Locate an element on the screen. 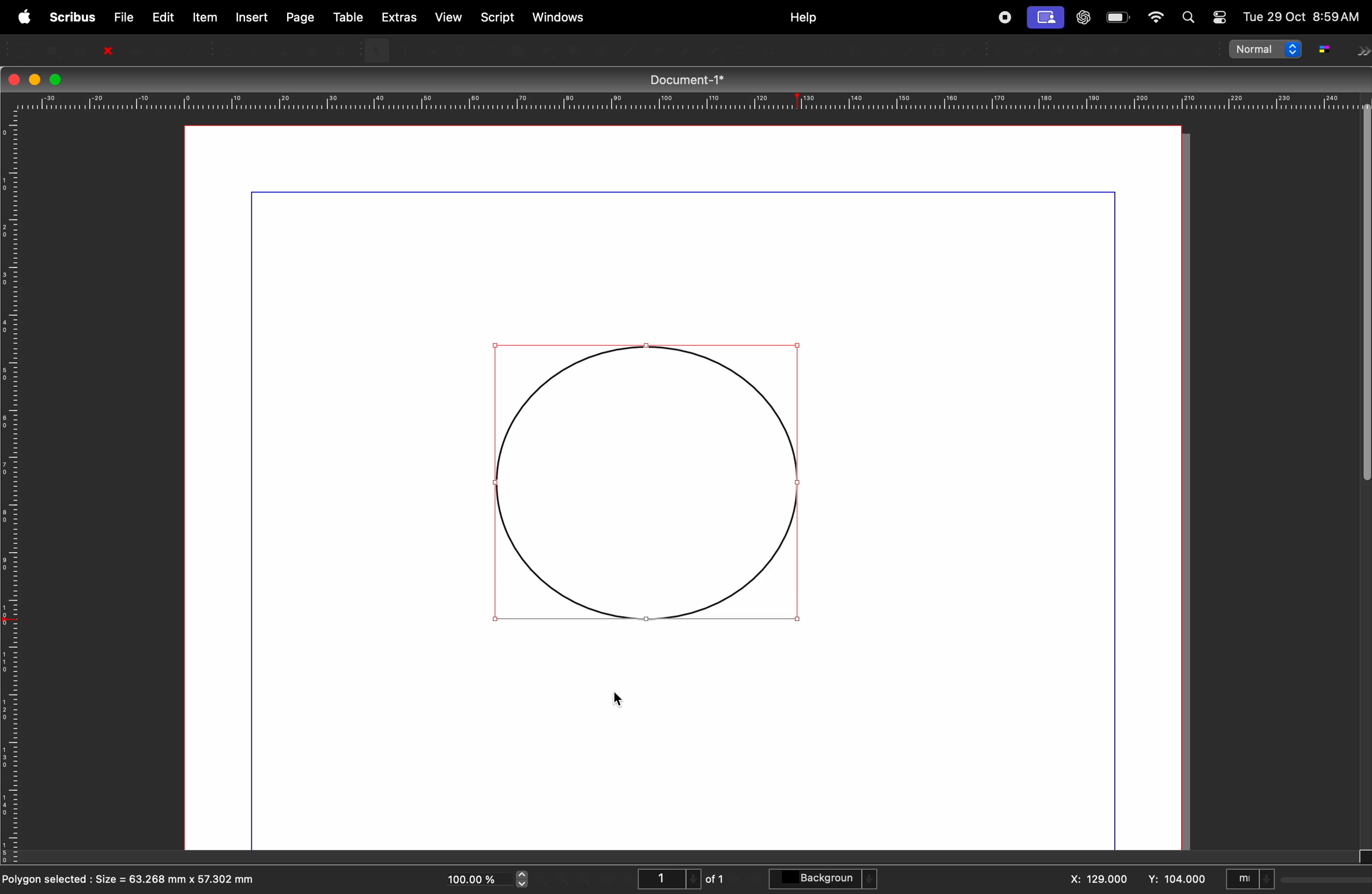 The width and height of the screenshot is (1372, 894). Unlink text frames is located at coordinates (881, 50).